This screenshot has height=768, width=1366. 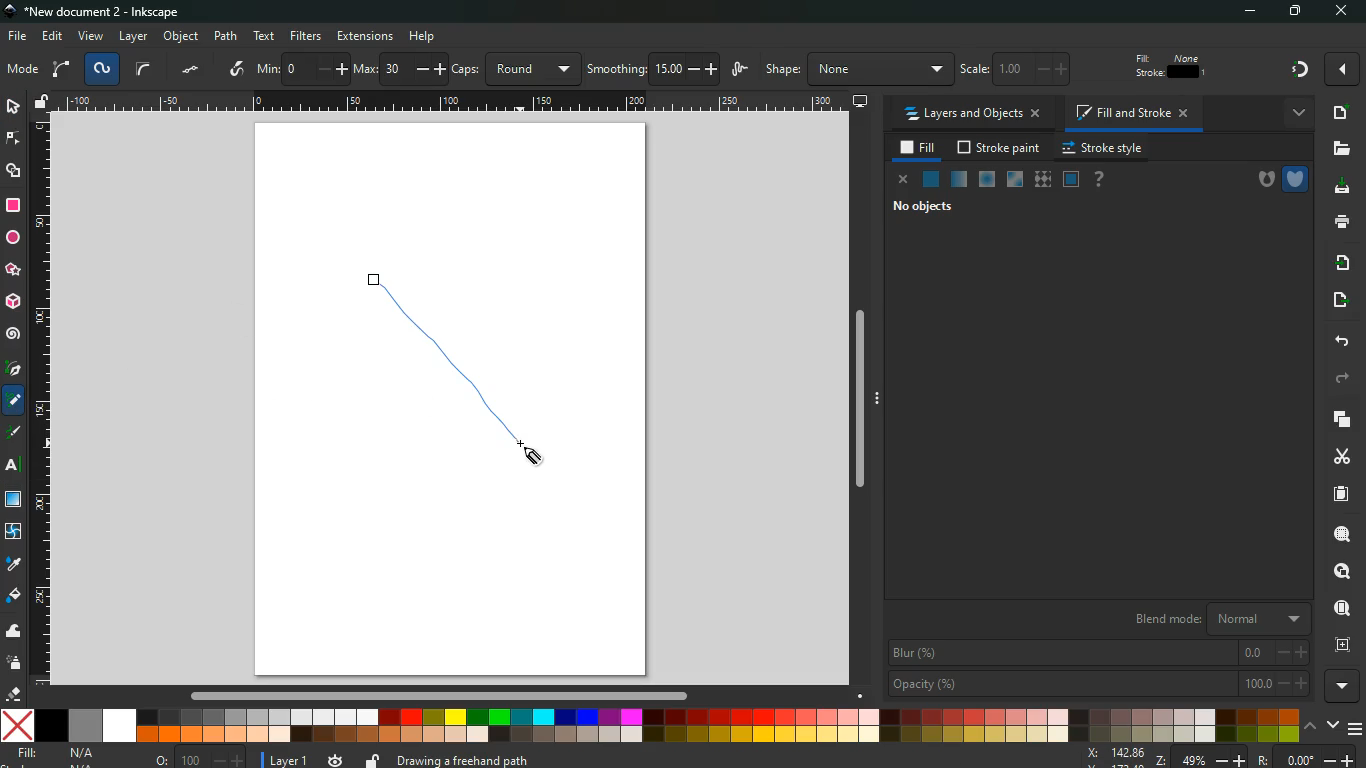 What do you see at coordinates (1135, 111) in the screenshot?
I see `fill and stroke` at bounding box center [1135, 111].